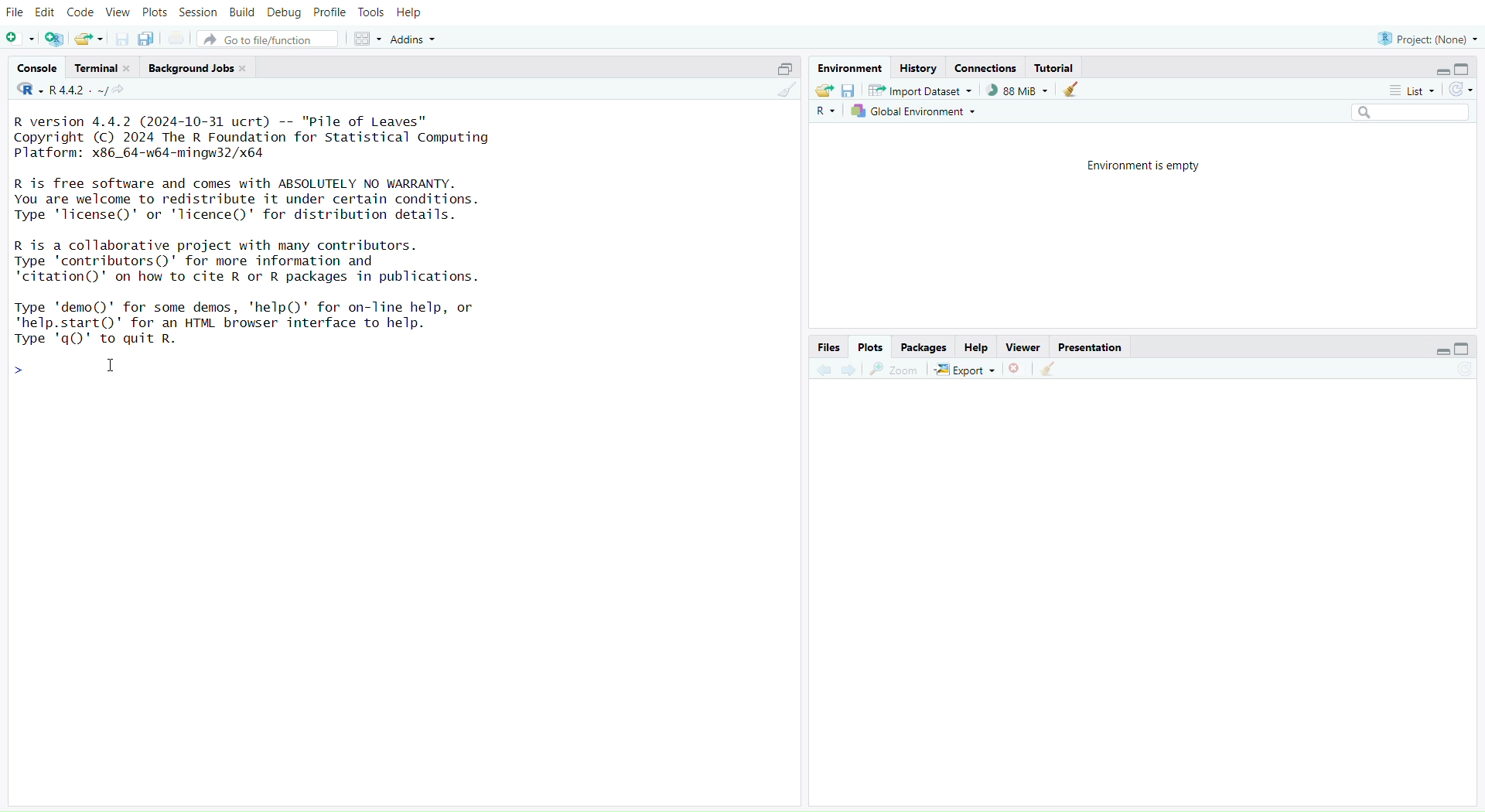 The width and height of the screenshot is (1485, 812). Describe the element at coordinates (121, 90) in the screenshot. I see `view the current working directory` at that location.